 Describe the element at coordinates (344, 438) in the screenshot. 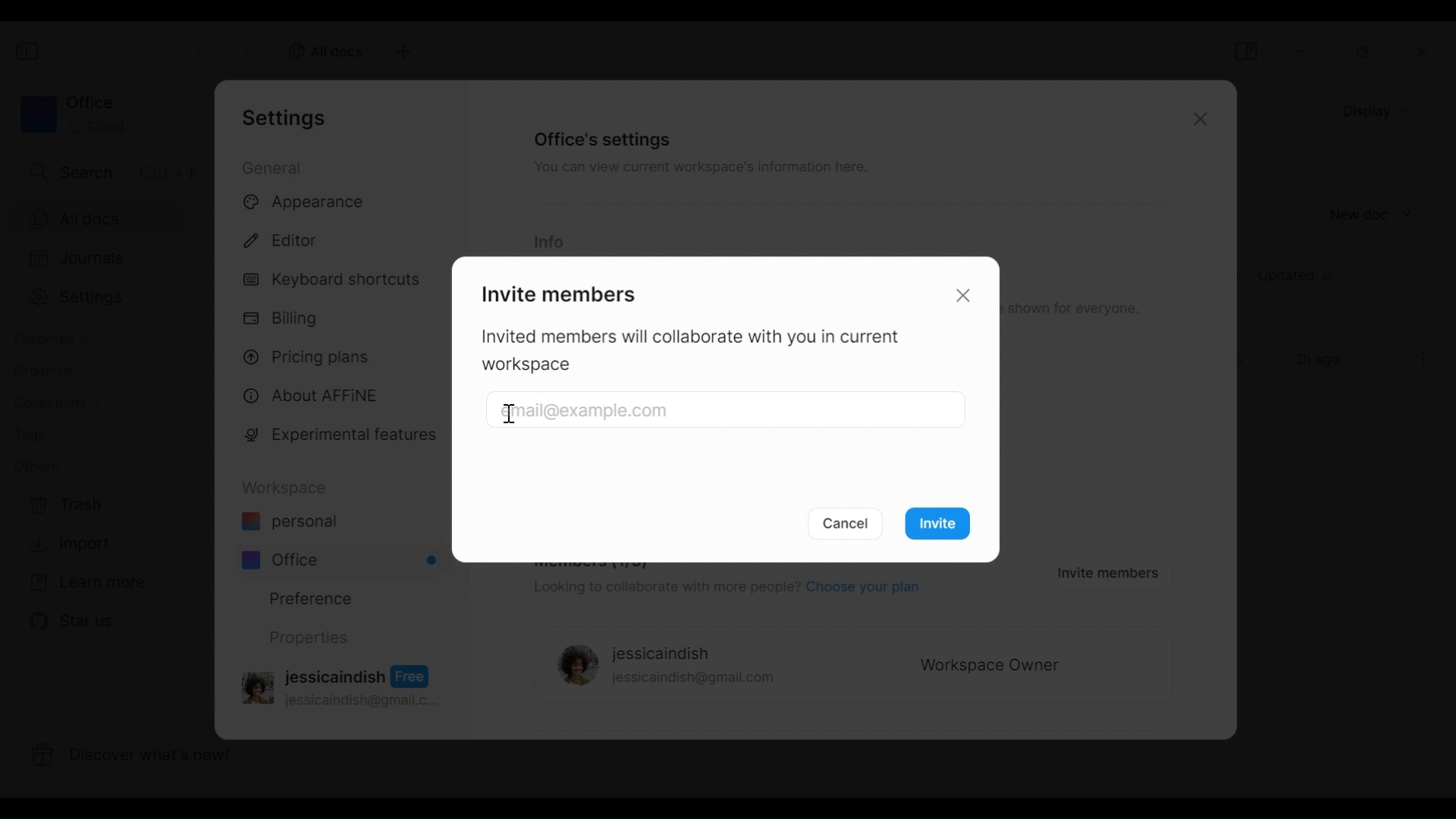

I see `Experimental features` at that location.